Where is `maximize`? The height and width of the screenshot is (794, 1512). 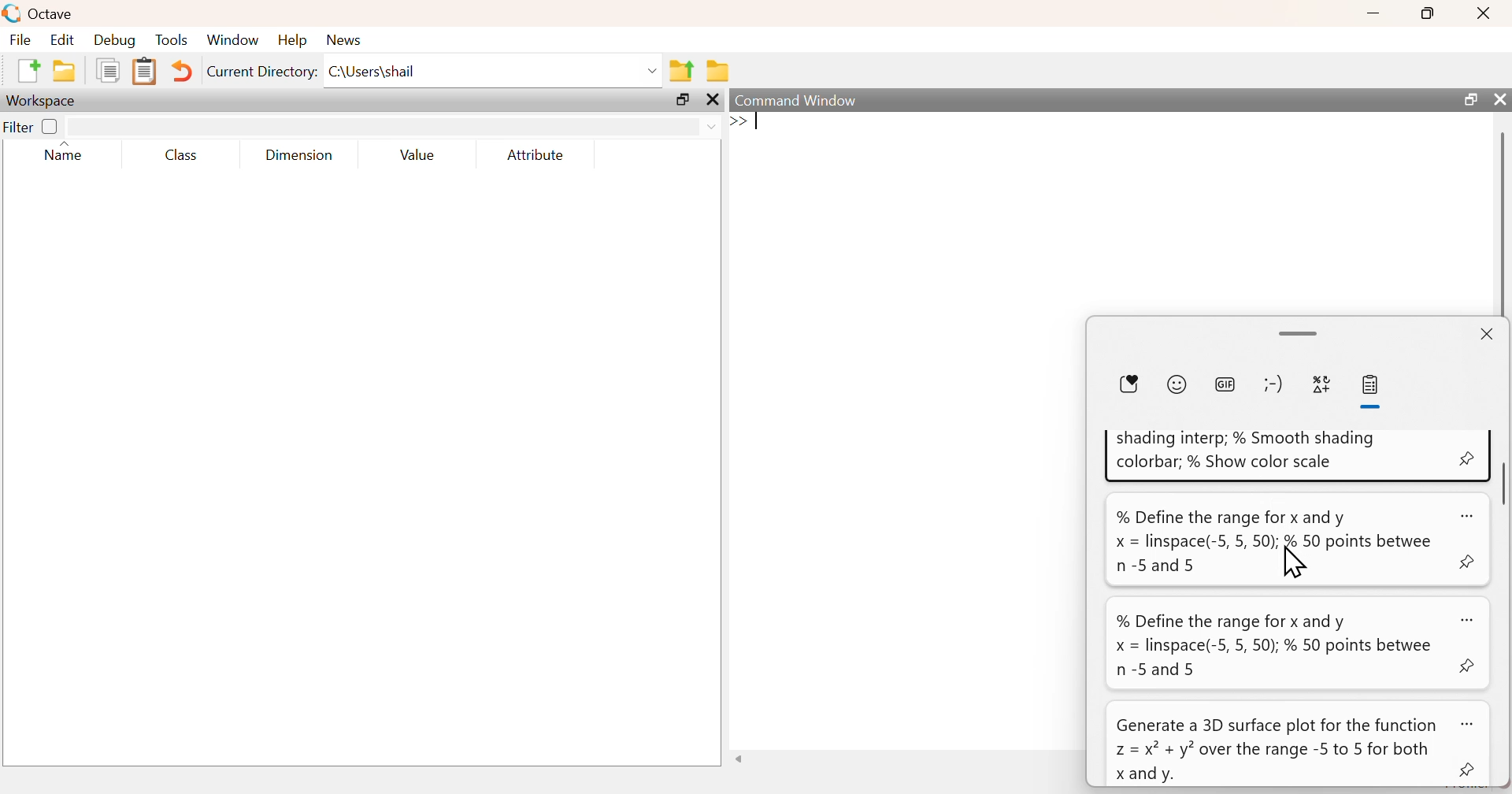 maximize is located at coordinates (683, 99).